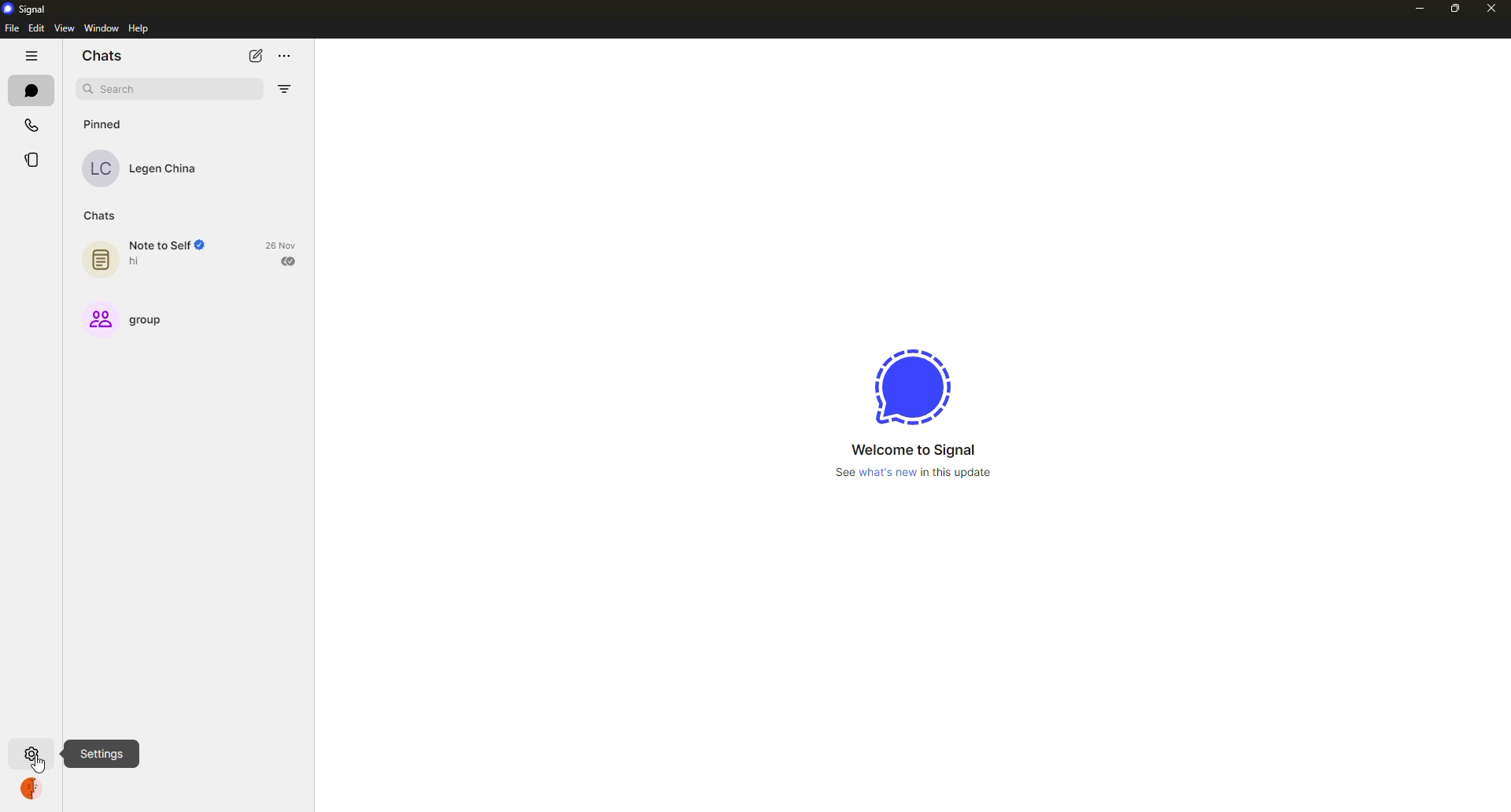  Describe the element at coordinates (102, 123) in the screenshot. I see `pinned` at that location.